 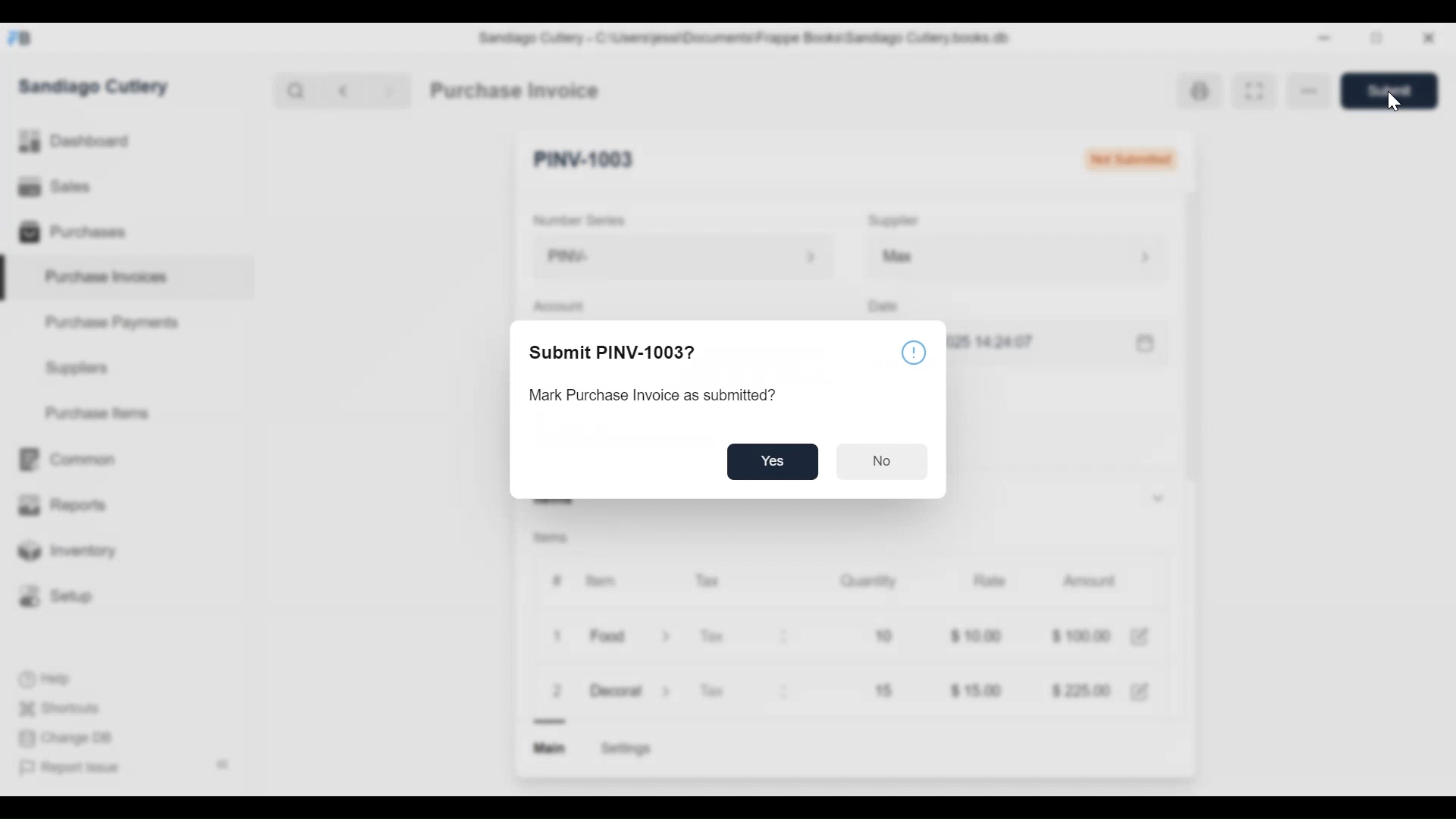 What do you see at coordinates (773, 463) in the screenshot?
I see `Yes` at bounding box center [773, 463].